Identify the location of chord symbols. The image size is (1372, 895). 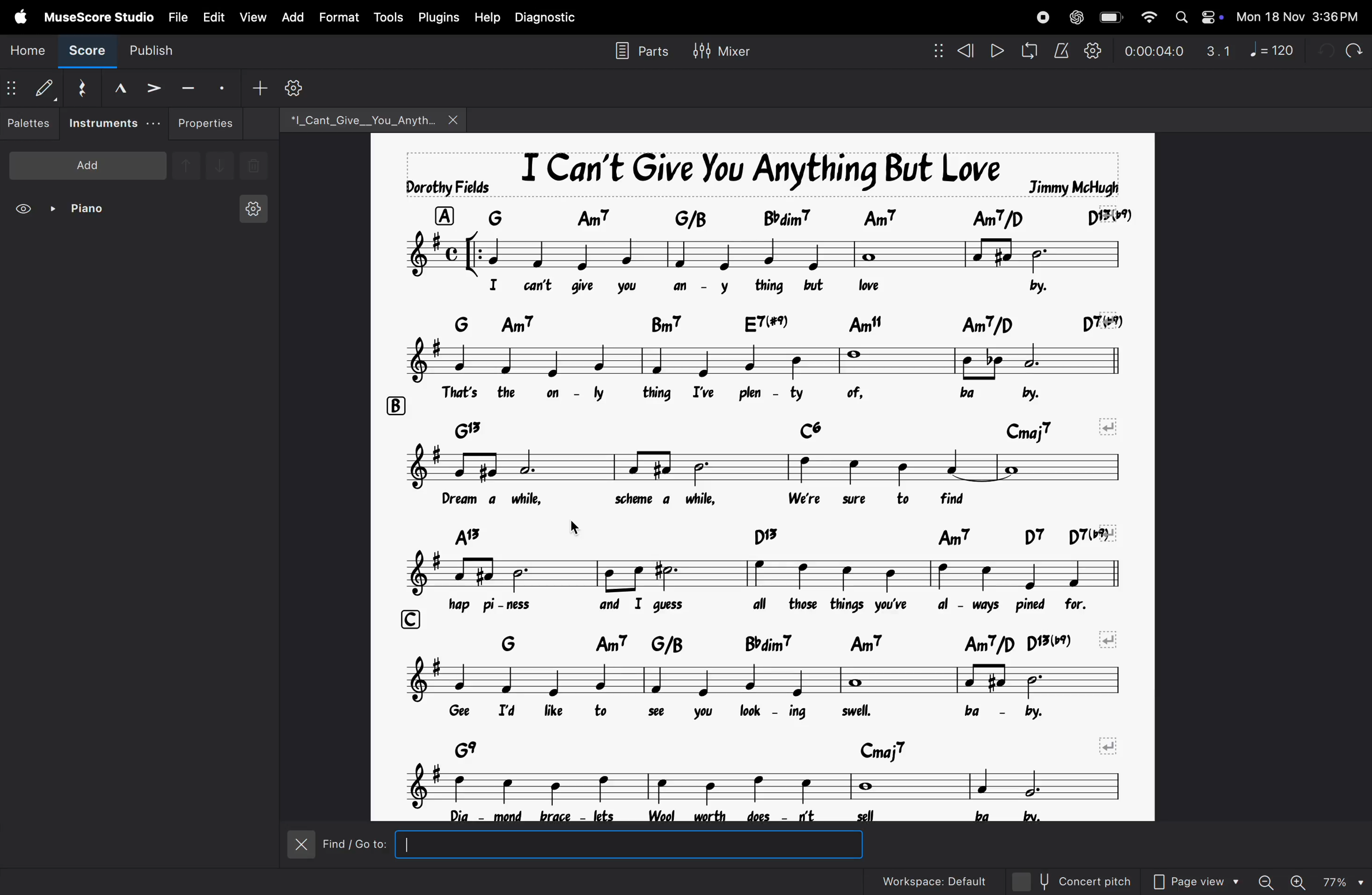
(787, 319).